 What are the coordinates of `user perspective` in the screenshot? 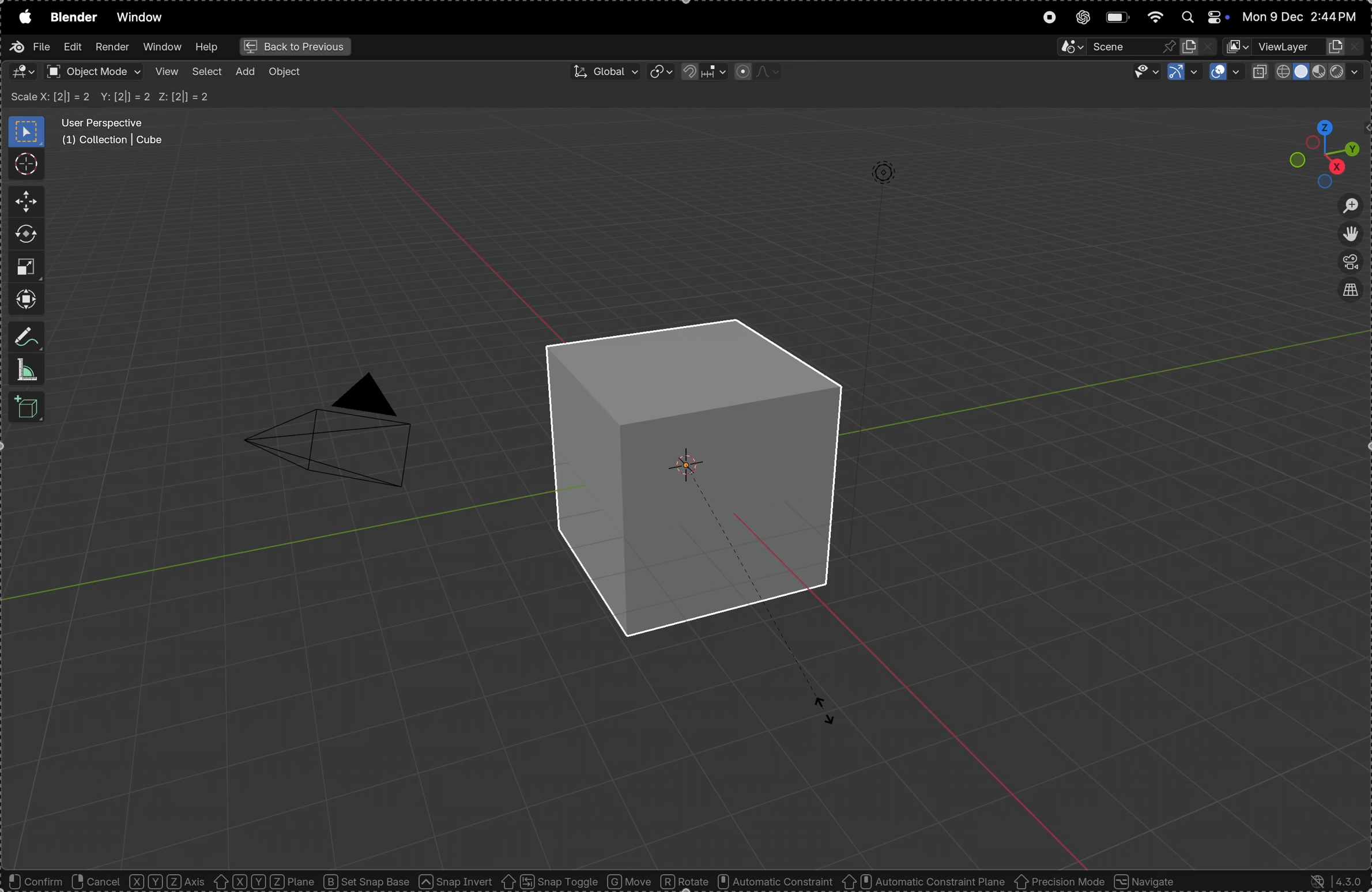 It's located at (118, 133).